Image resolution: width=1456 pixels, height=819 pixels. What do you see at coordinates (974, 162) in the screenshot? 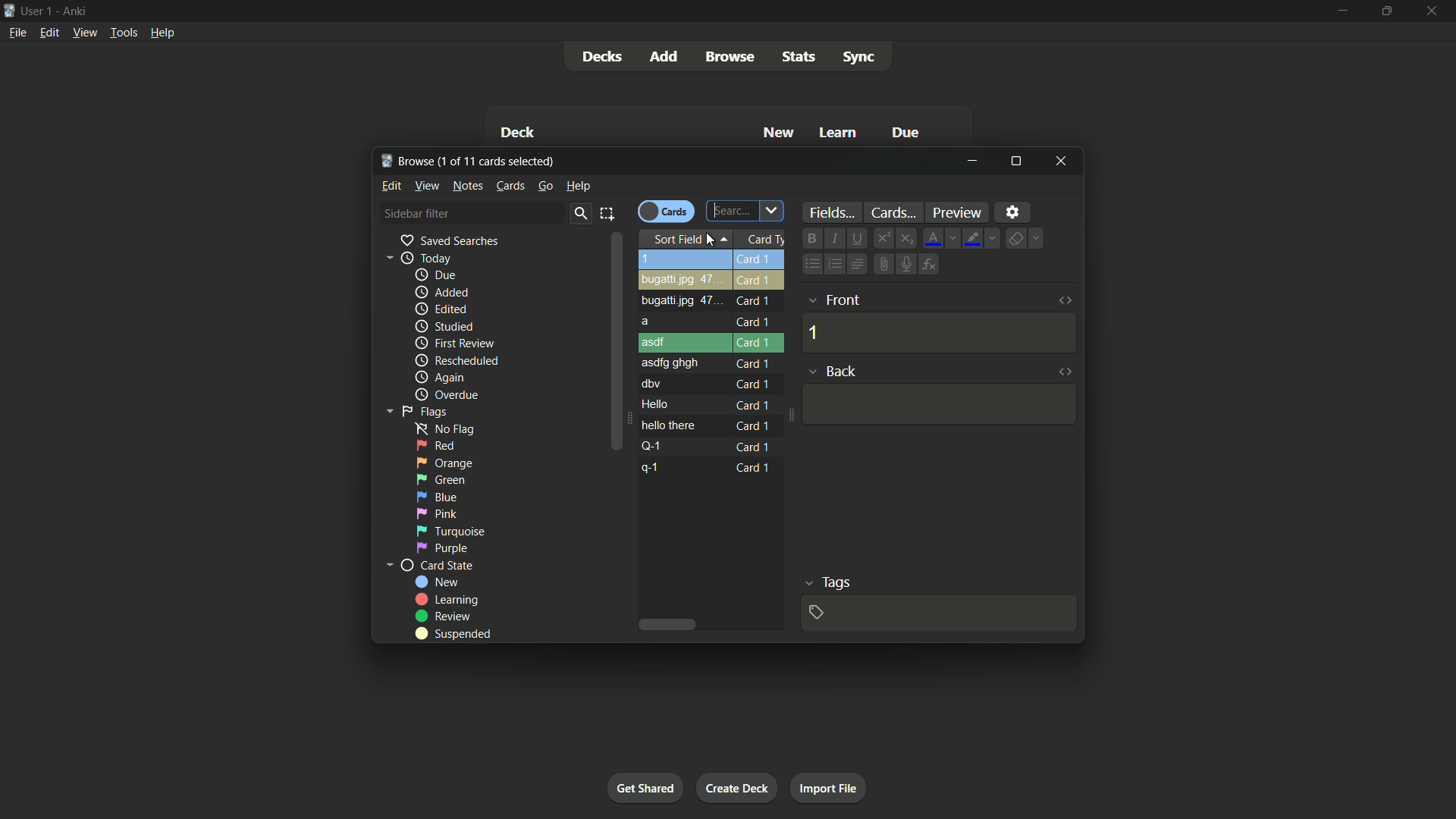
I see `minimize` at bounding box center [974, 162].